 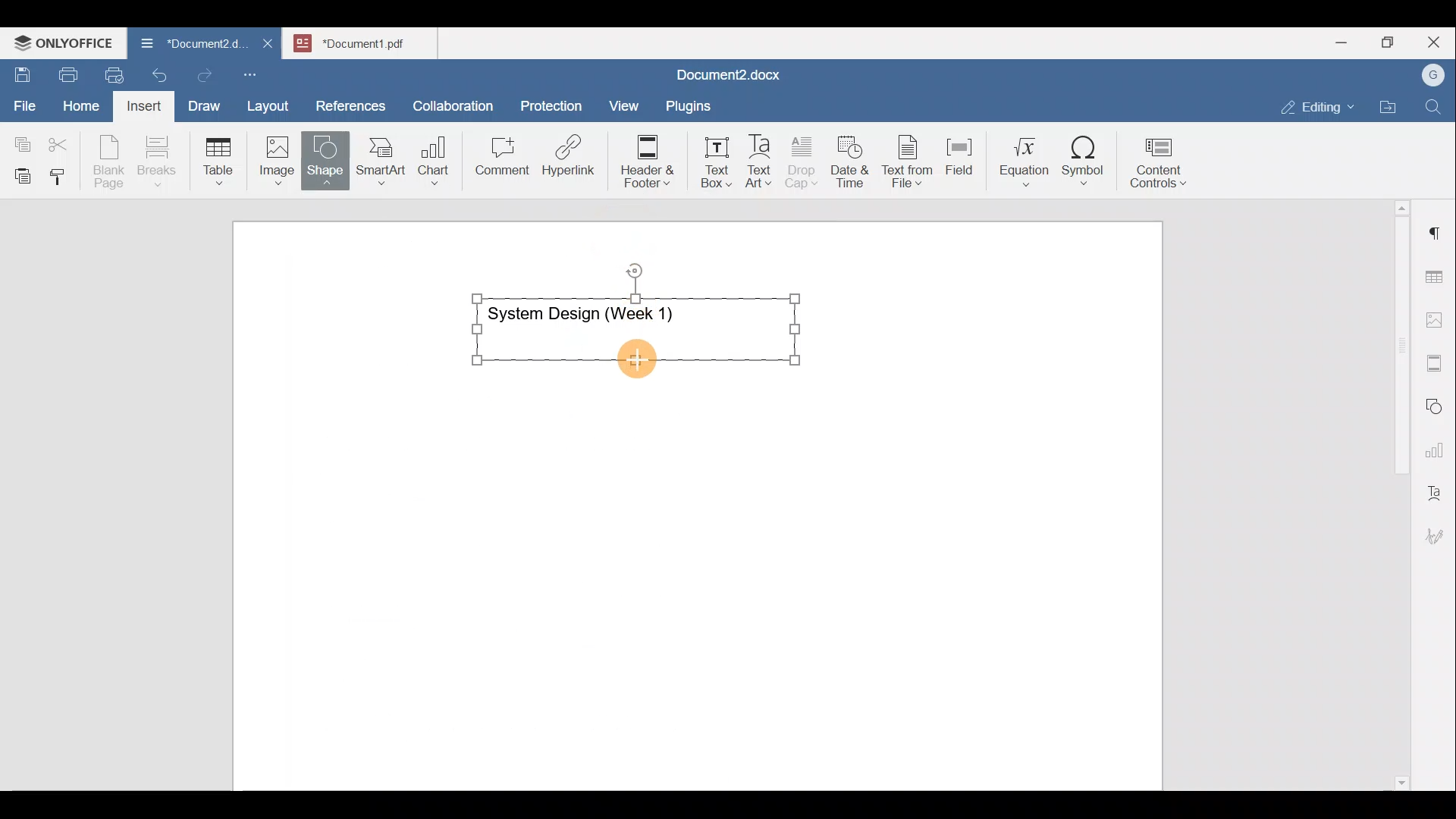 I want to click on Home, so click(x=82, y=105).